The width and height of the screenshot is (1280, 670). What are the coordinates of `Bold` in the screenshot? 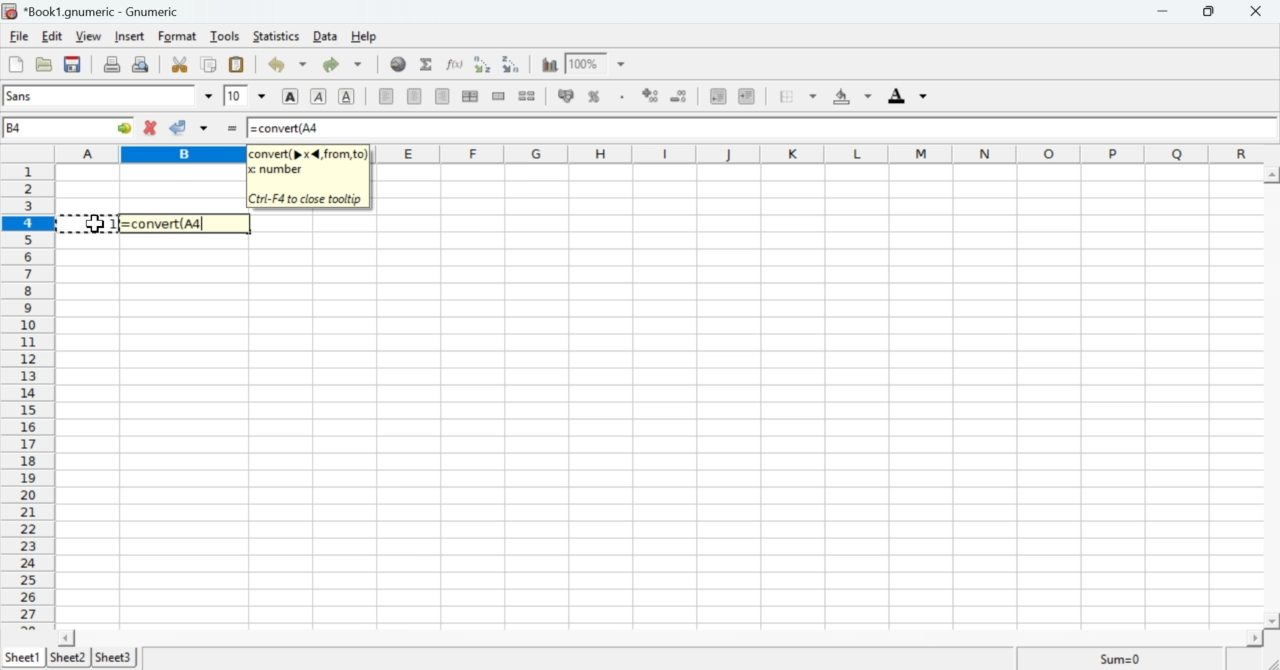 It's located at (291, 96).